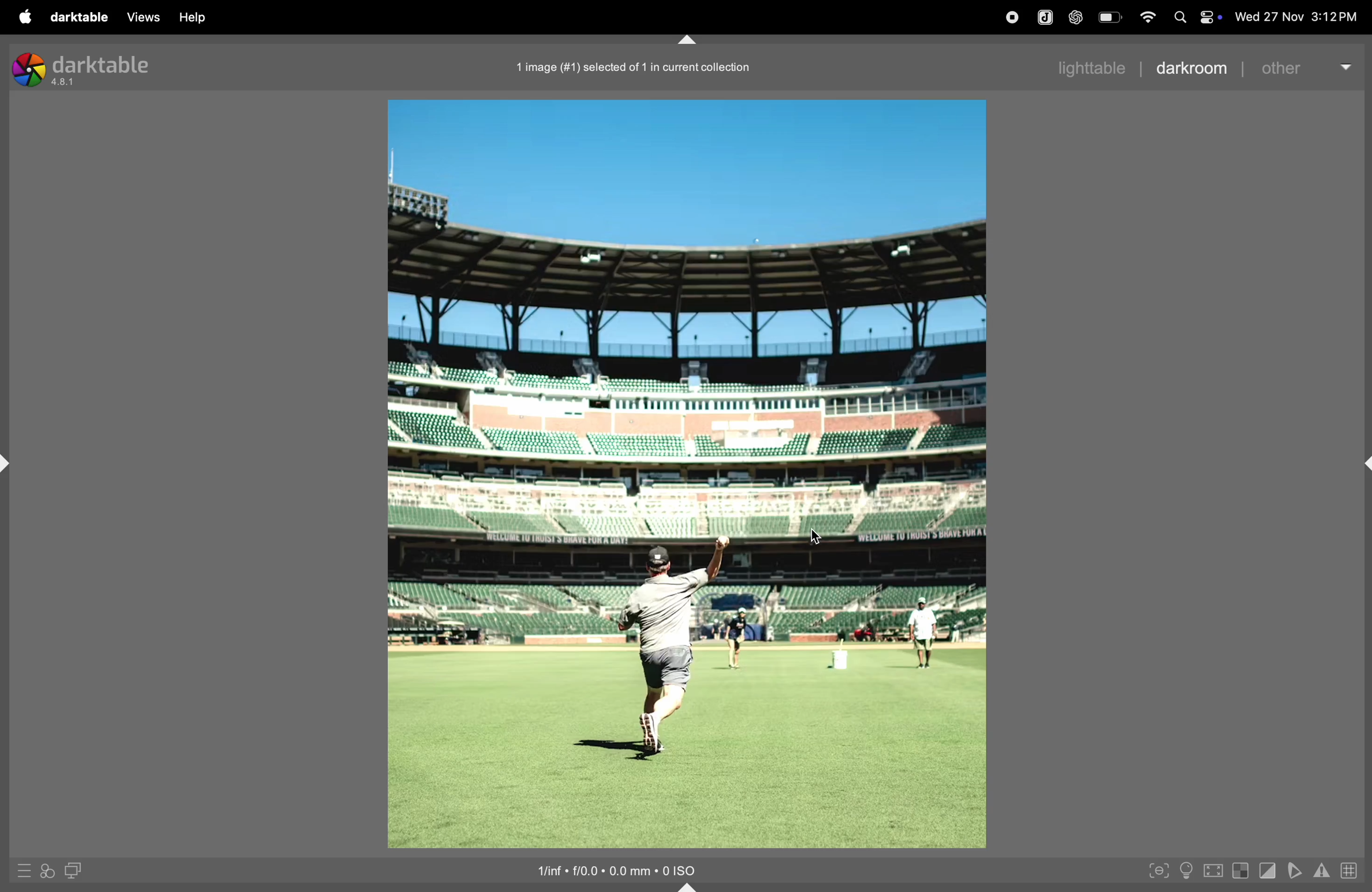  What do you see at coordinates (688, 475) in the screenshot?
I see `image` at bounding box center [688, 475].